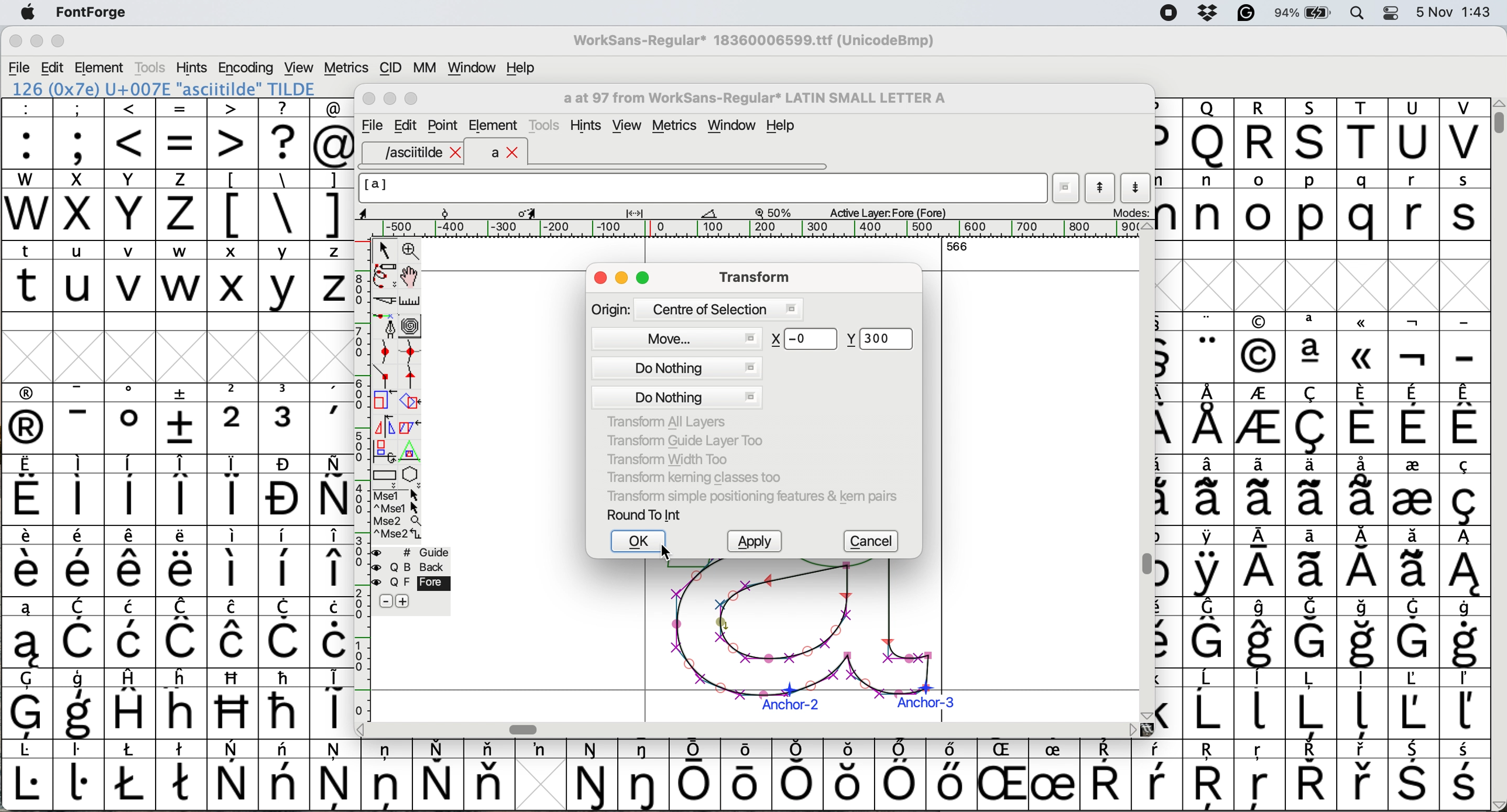 Image resolution: width=1507 pixels, height=812 pixels. Describe the element at coordinates (411, 325) in the screenshot. I see `change whether spiro is active or not` at that location.